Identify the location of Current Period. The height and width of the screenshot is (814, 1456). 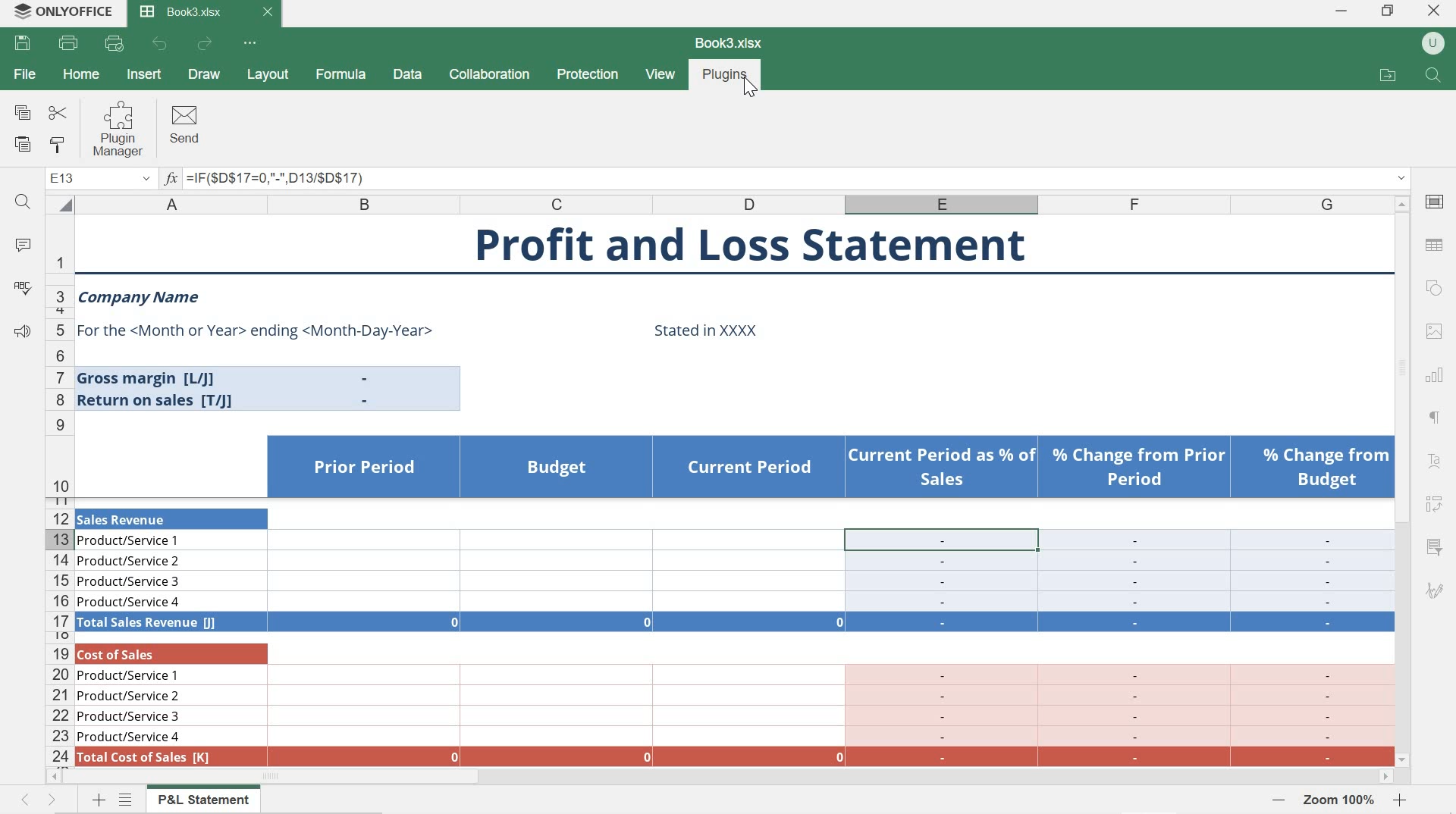
(752, 468).